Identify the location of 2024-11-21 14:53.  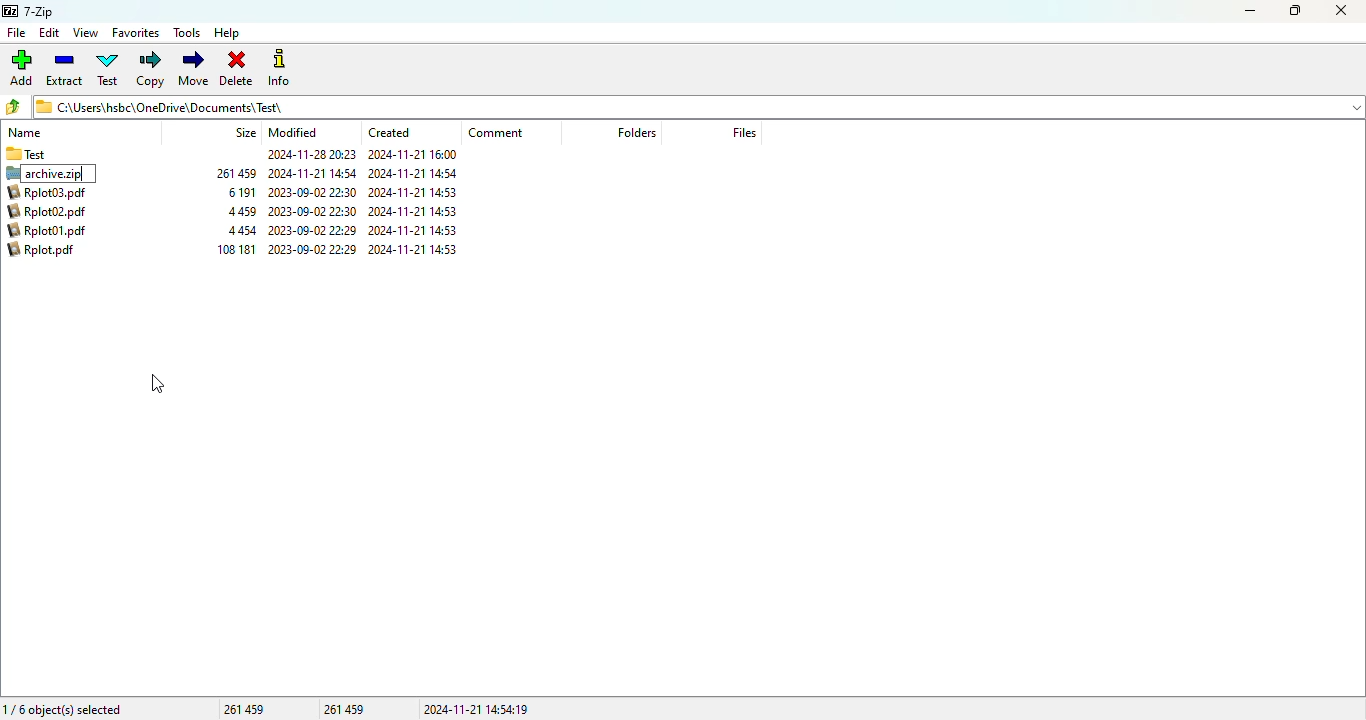
(422, 192).